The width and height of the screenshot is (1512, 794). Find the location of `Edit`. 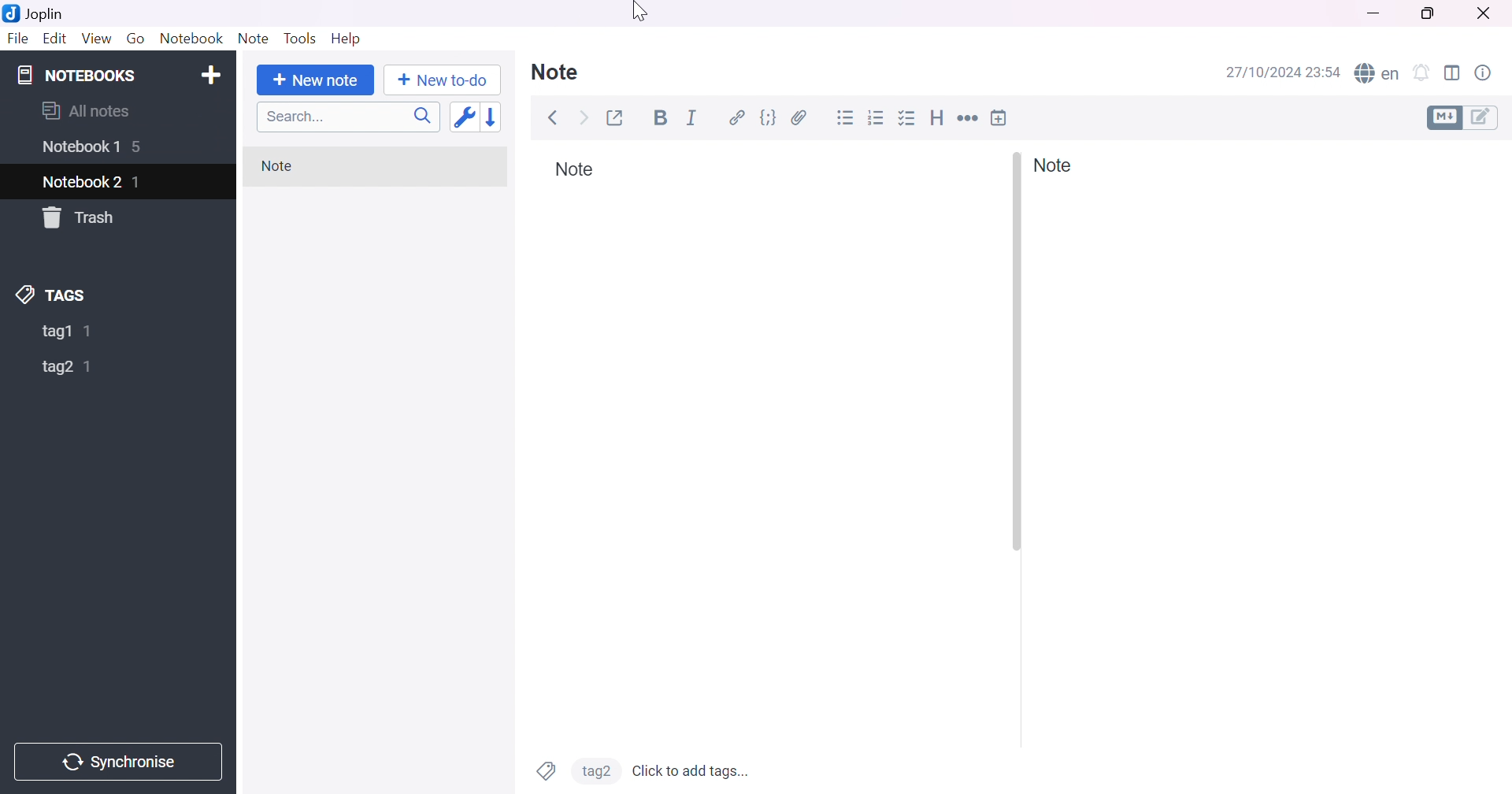

Edit is located at coordinates (56, 41).